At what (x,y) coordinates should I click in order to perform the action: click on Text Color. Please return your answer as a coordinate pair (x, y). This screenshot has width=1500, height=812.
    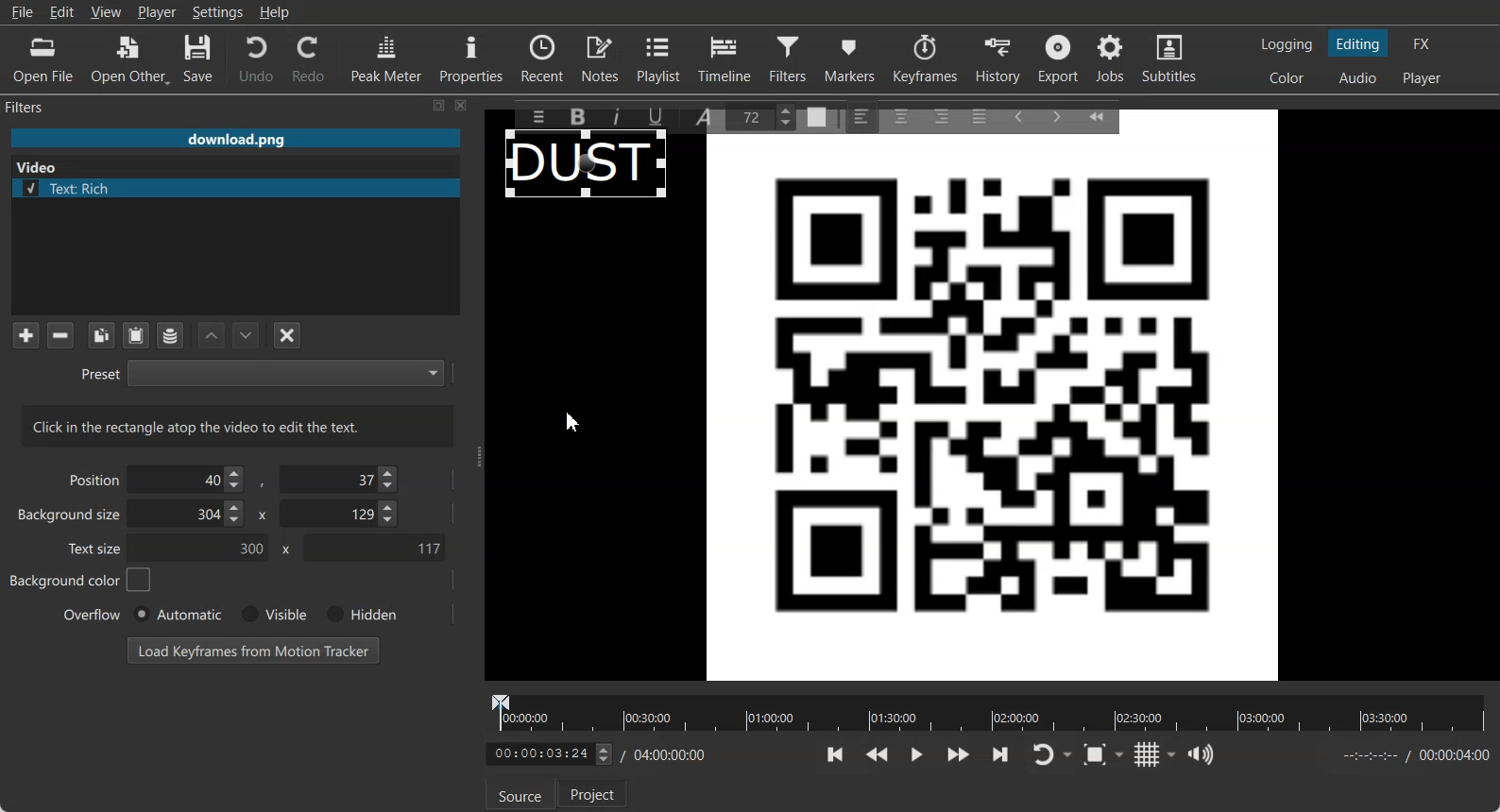
    Looking at the image, I should click on (817, 118).